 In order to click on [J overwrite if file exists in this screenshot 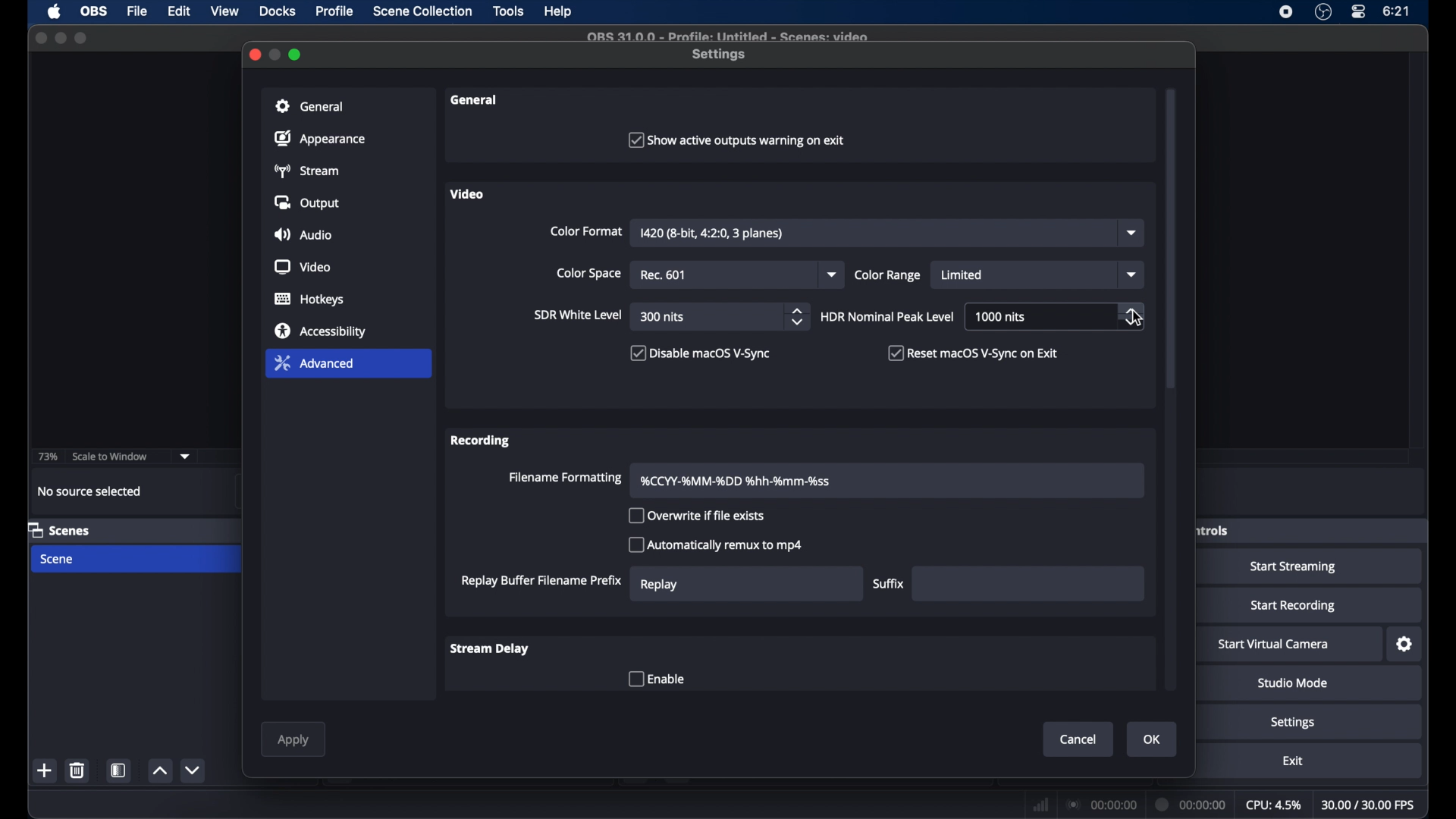, I will do `click(702, 518)`.